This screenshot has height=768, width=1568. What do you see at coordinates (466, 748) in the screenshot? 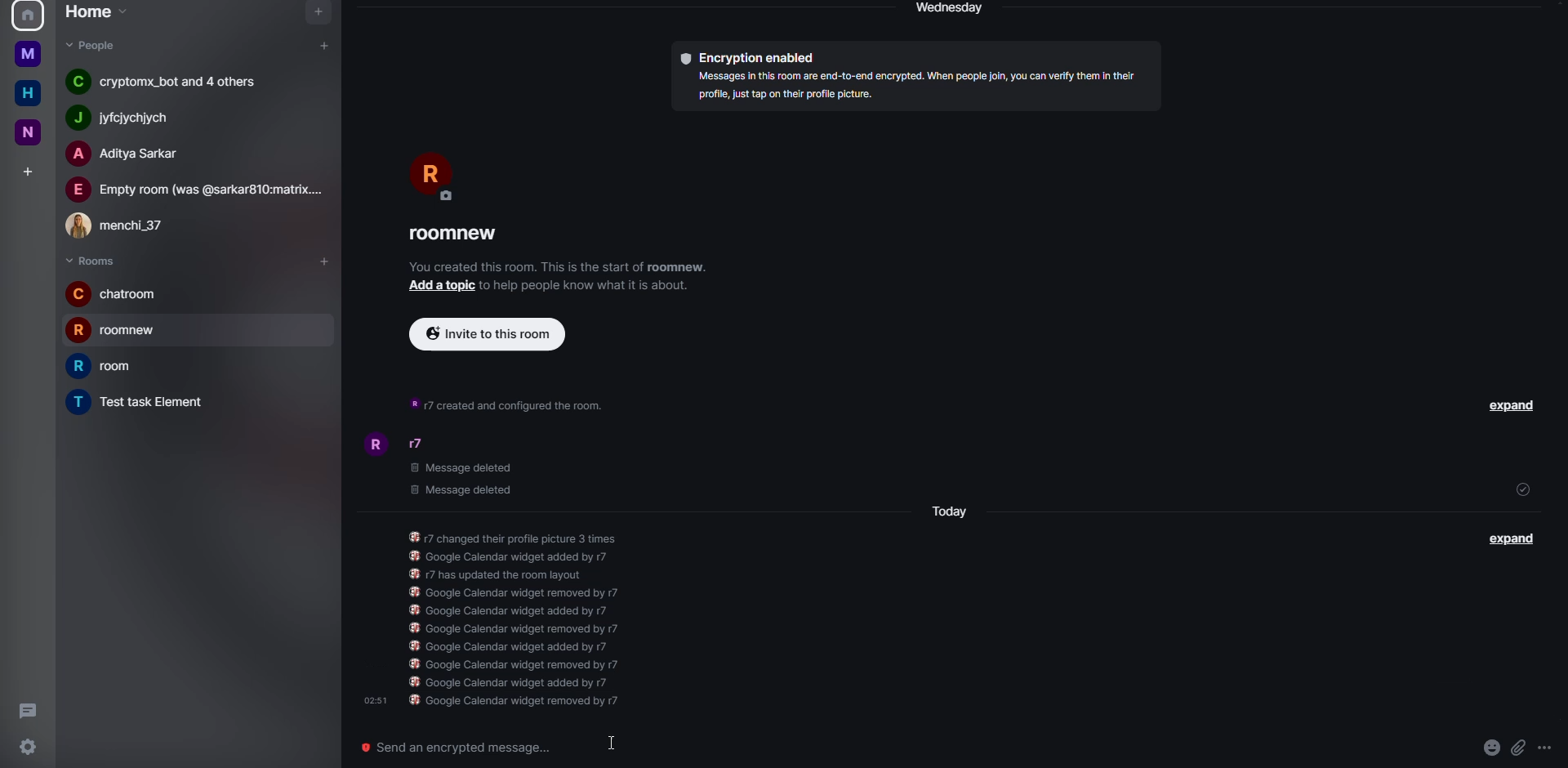
I see `send an encrypted message` at bounding box center [466, 748].